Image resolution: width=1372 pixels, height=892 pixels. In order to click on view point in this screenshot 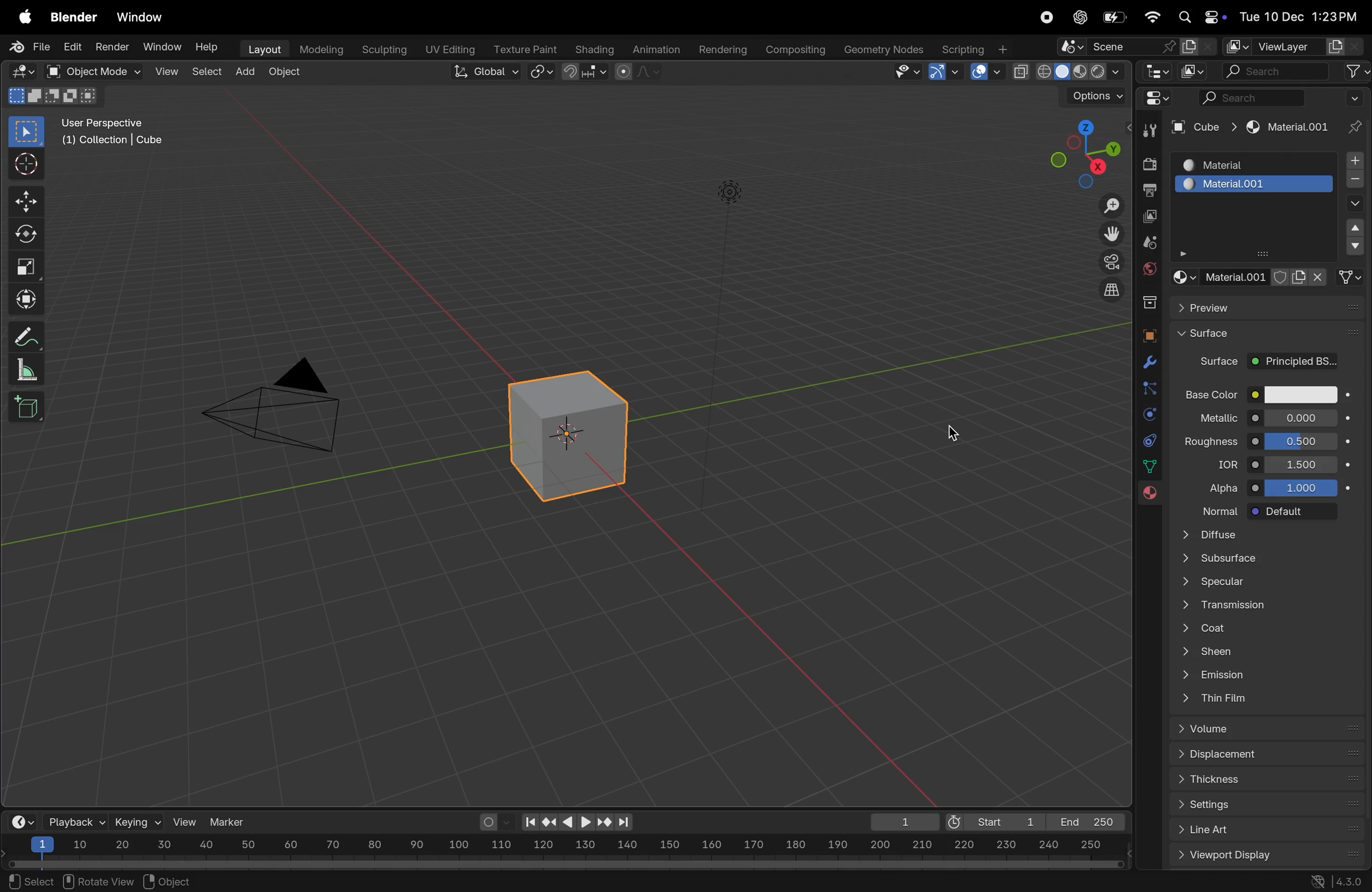, I will do `click(1078, 153)`.